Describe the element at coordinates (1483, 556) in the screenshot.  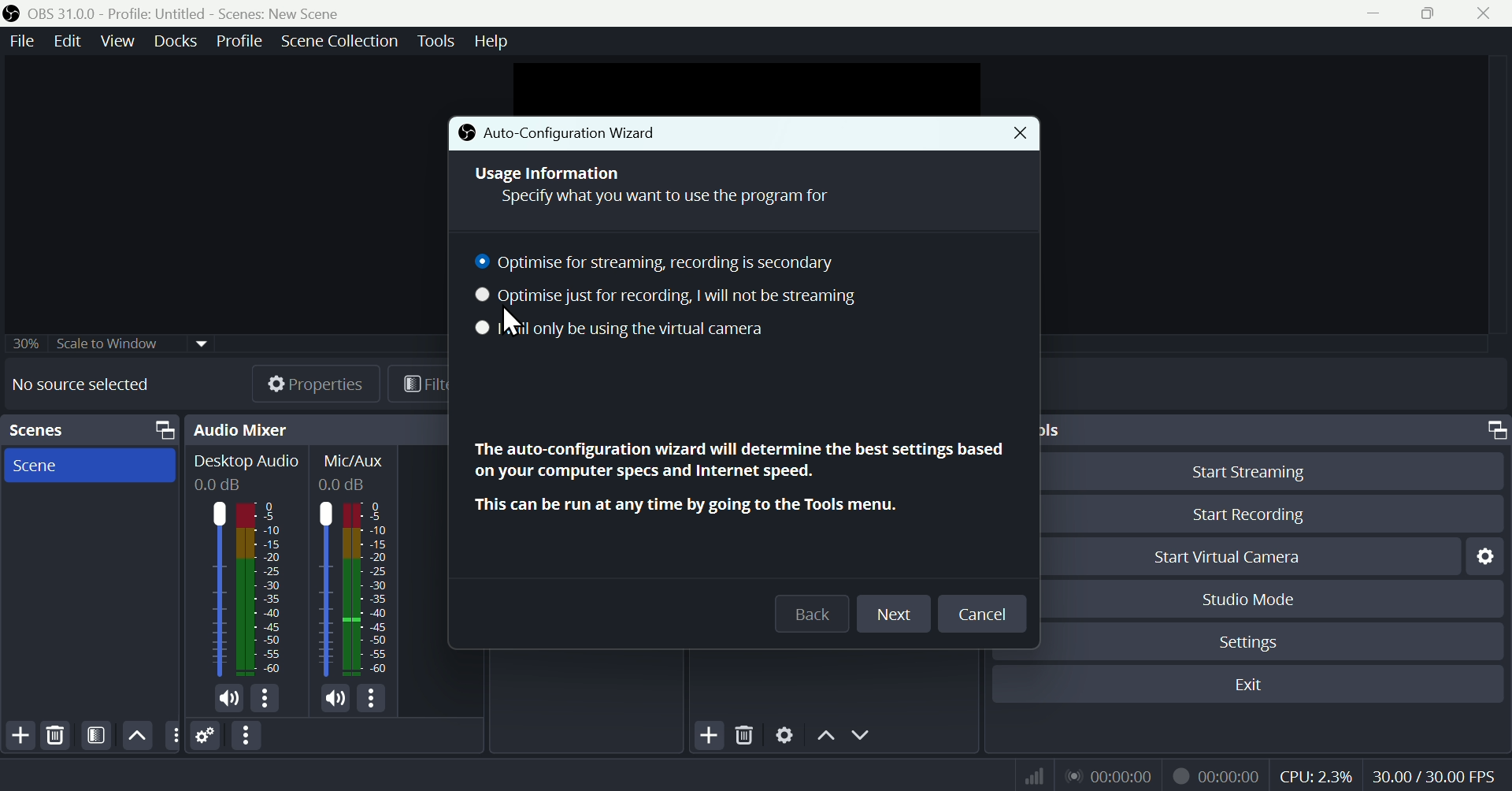
I see `Settings` at that location.